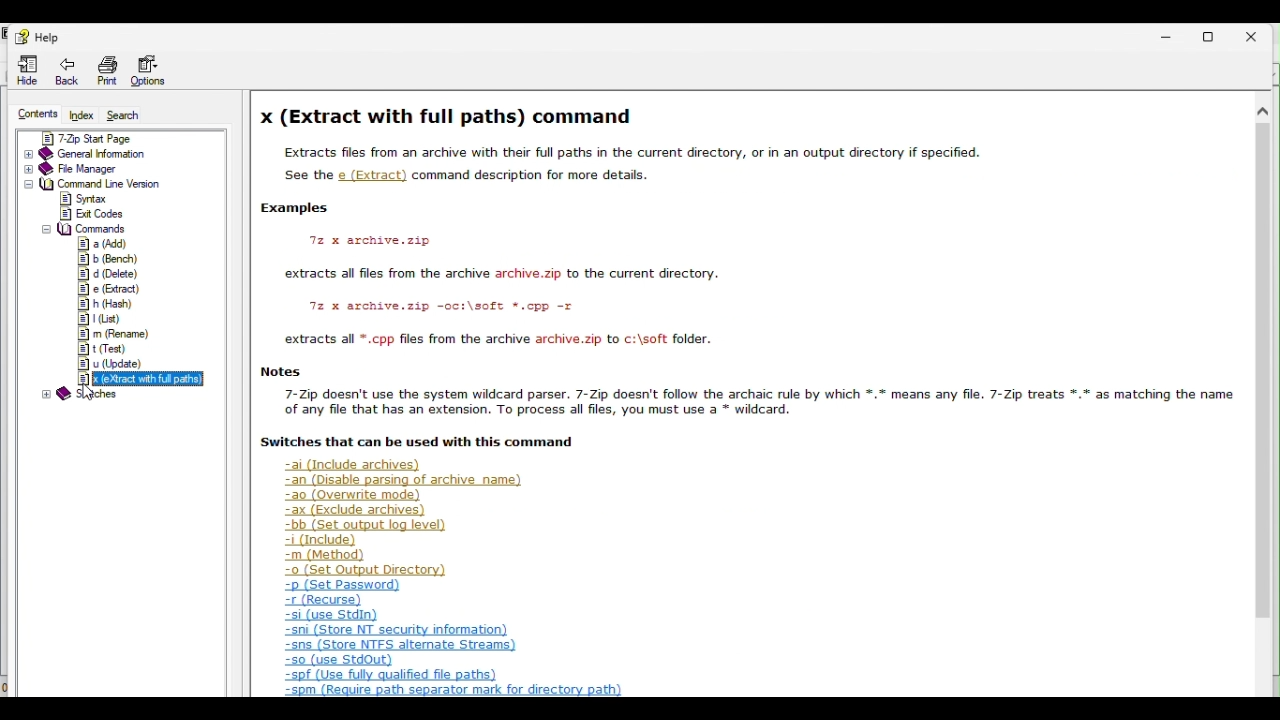  What do you see at coordinates (112, 288) in the screenshot?
I see `e (Extract)` at bounding box center [112, 288].